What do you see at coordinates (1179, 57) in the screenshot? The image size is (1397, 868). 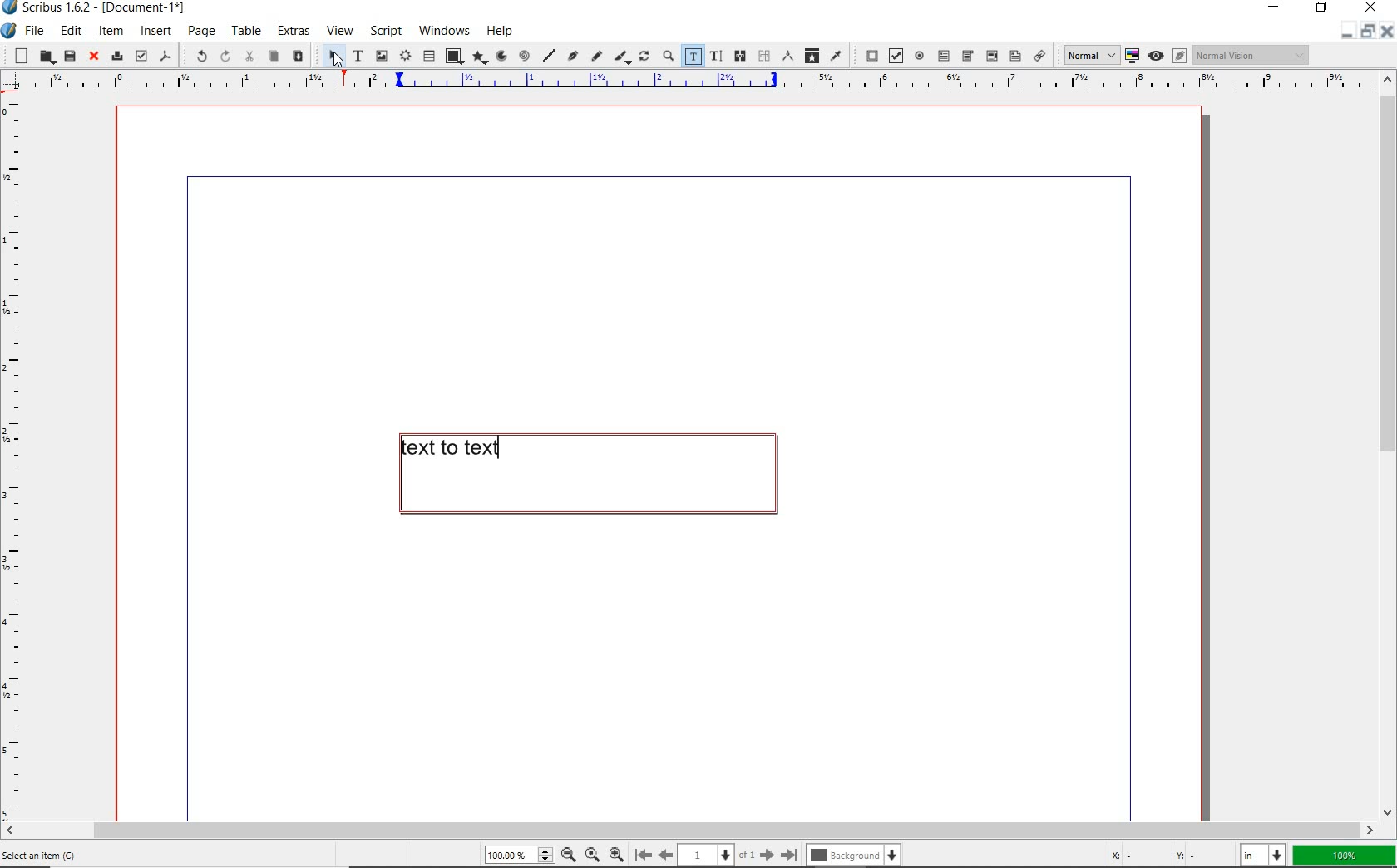 I see `Edit in preview mode` at bounding box center [1179, 57].